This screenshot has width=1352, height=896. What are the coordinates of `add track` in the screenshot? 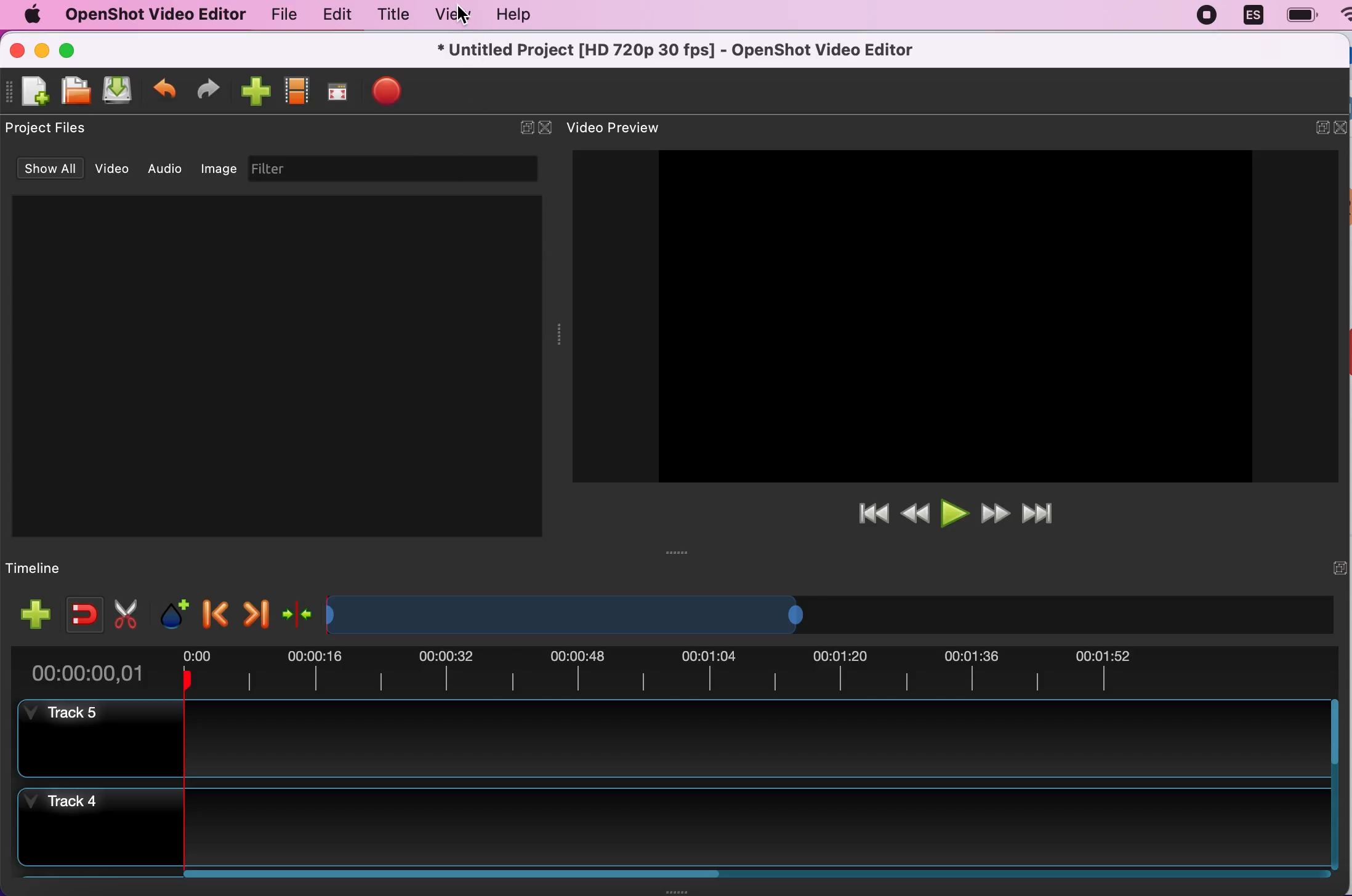 It's located at (36, 614).